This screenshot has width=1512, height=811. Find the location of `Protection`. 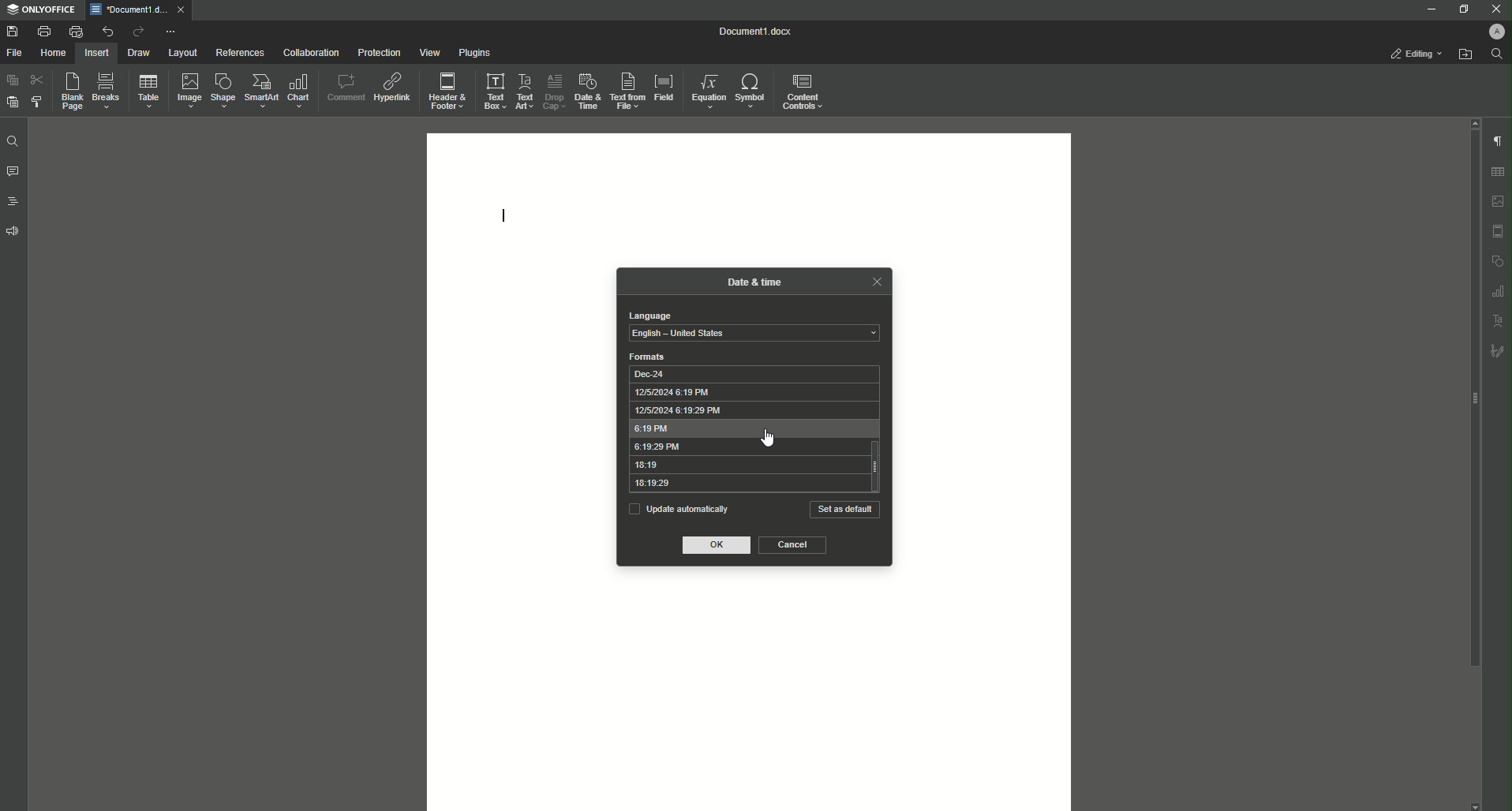

Protection is located at coordinates (376, 51).